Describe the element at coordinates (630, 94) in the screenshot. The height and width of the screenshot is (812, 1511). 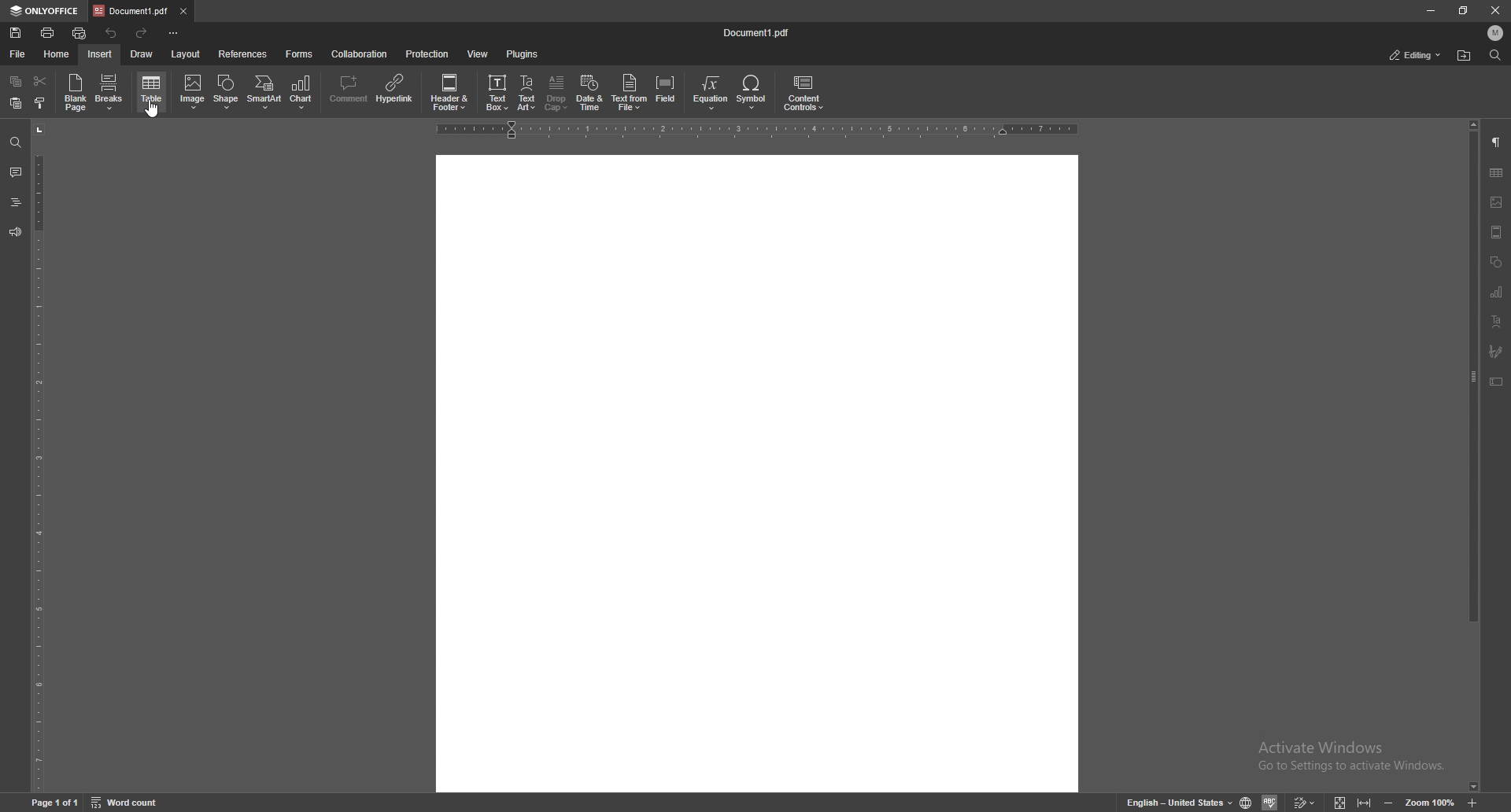
I see `text from file` at that location.